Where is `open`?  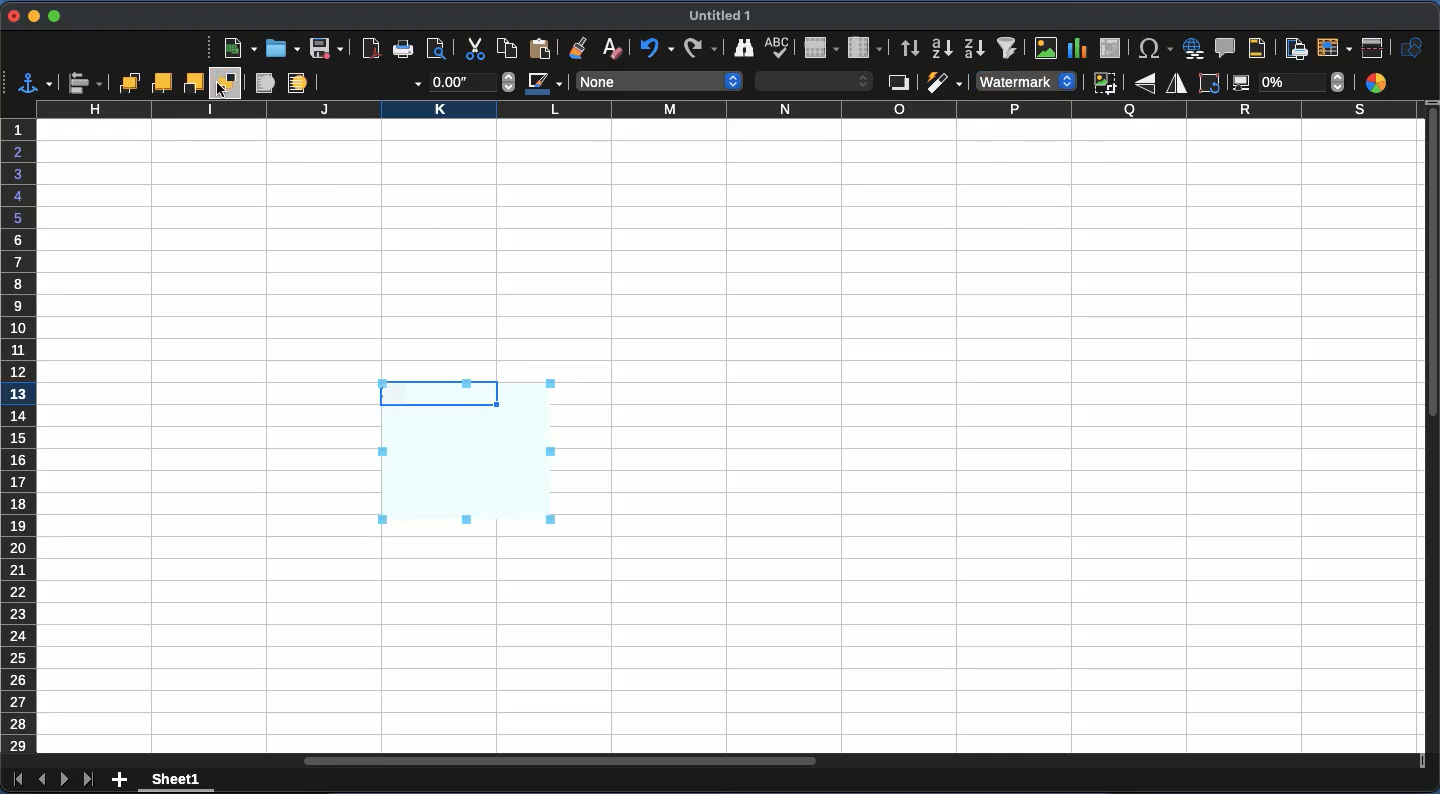 open is located at coordinates (283, 50).